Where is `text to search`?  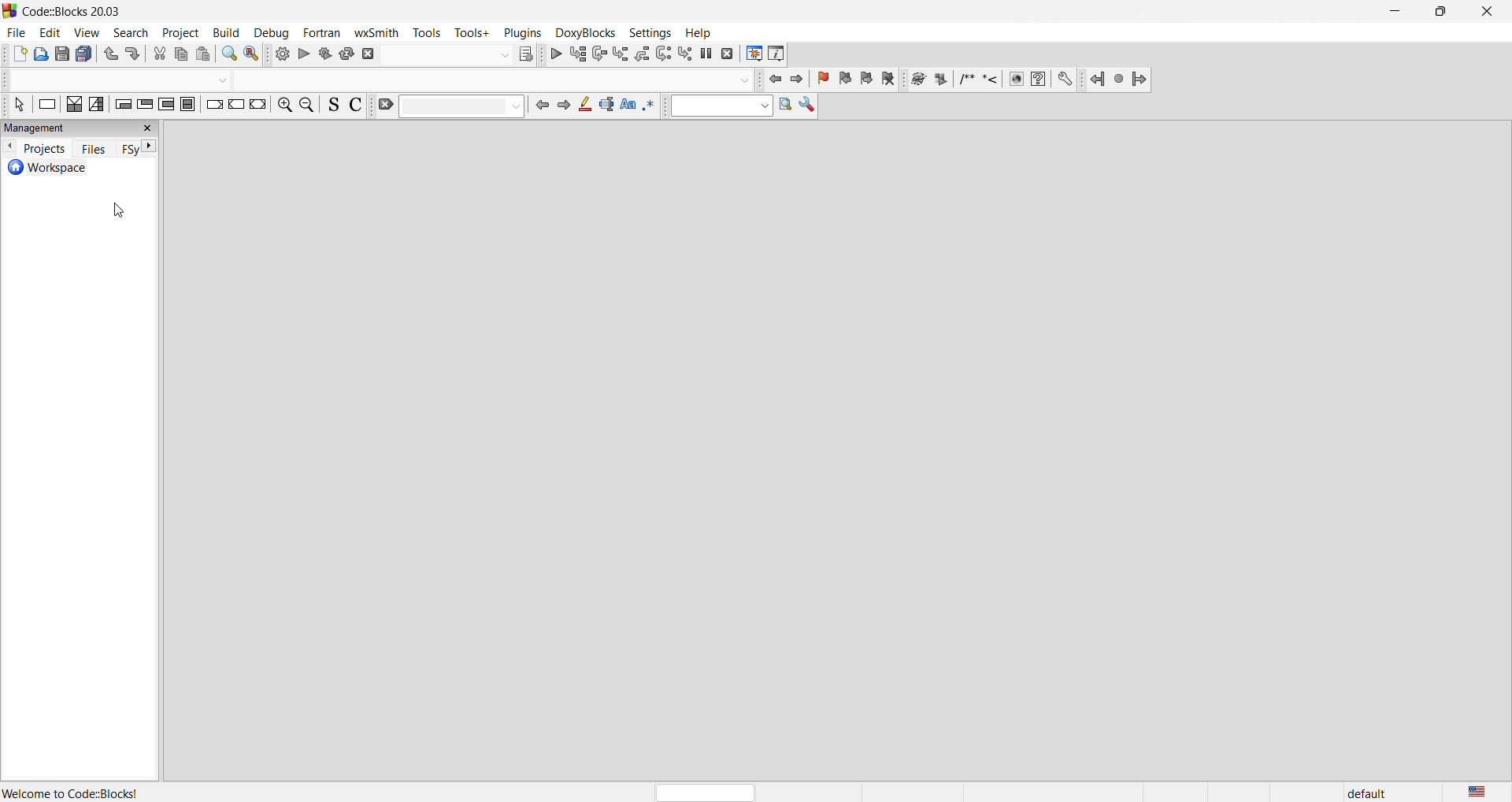
text to search is located at coordinates (717, 106).